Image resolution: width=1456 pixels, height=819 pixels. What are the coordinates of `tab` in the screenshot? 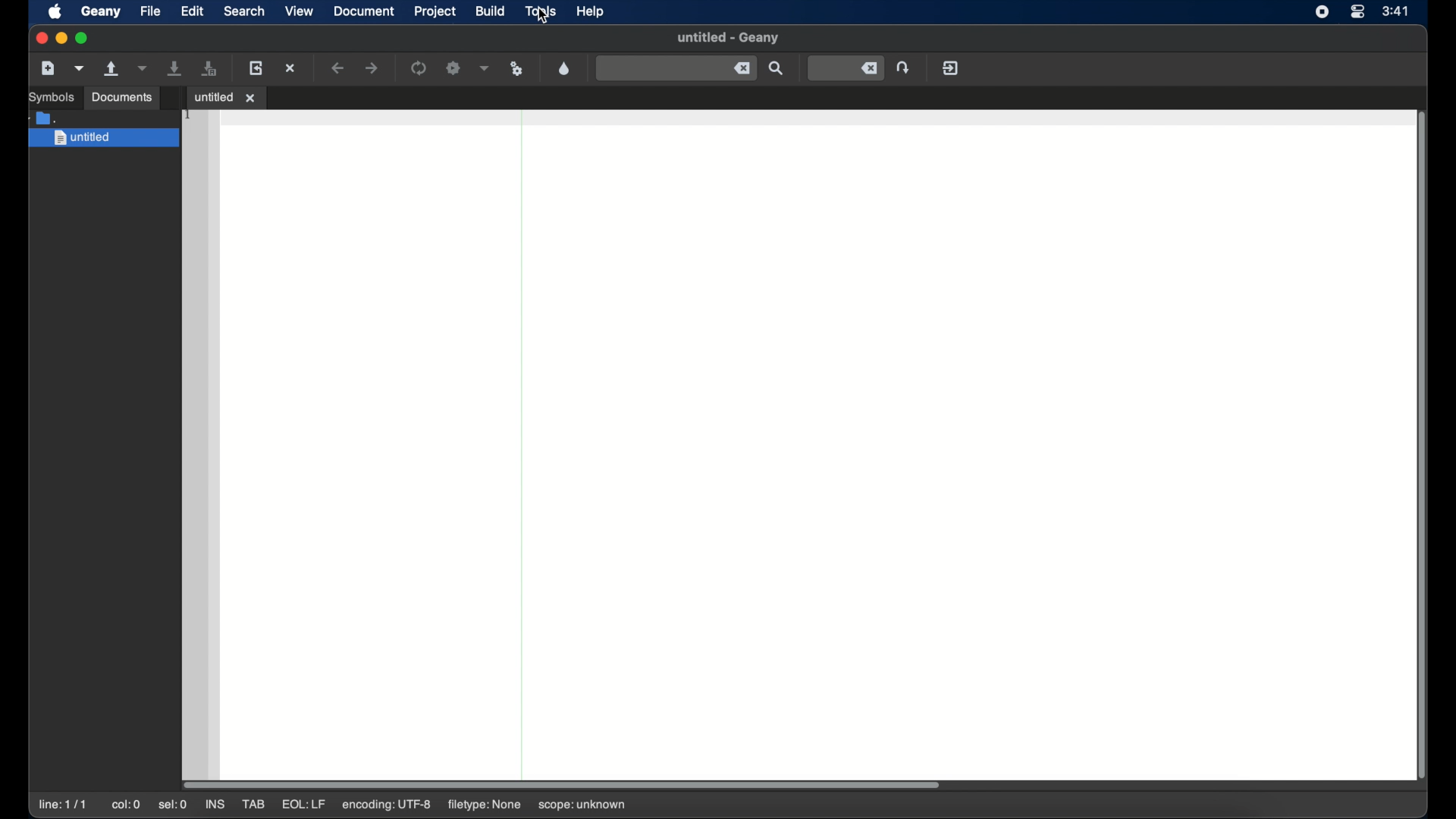 It's located at (255, 805).